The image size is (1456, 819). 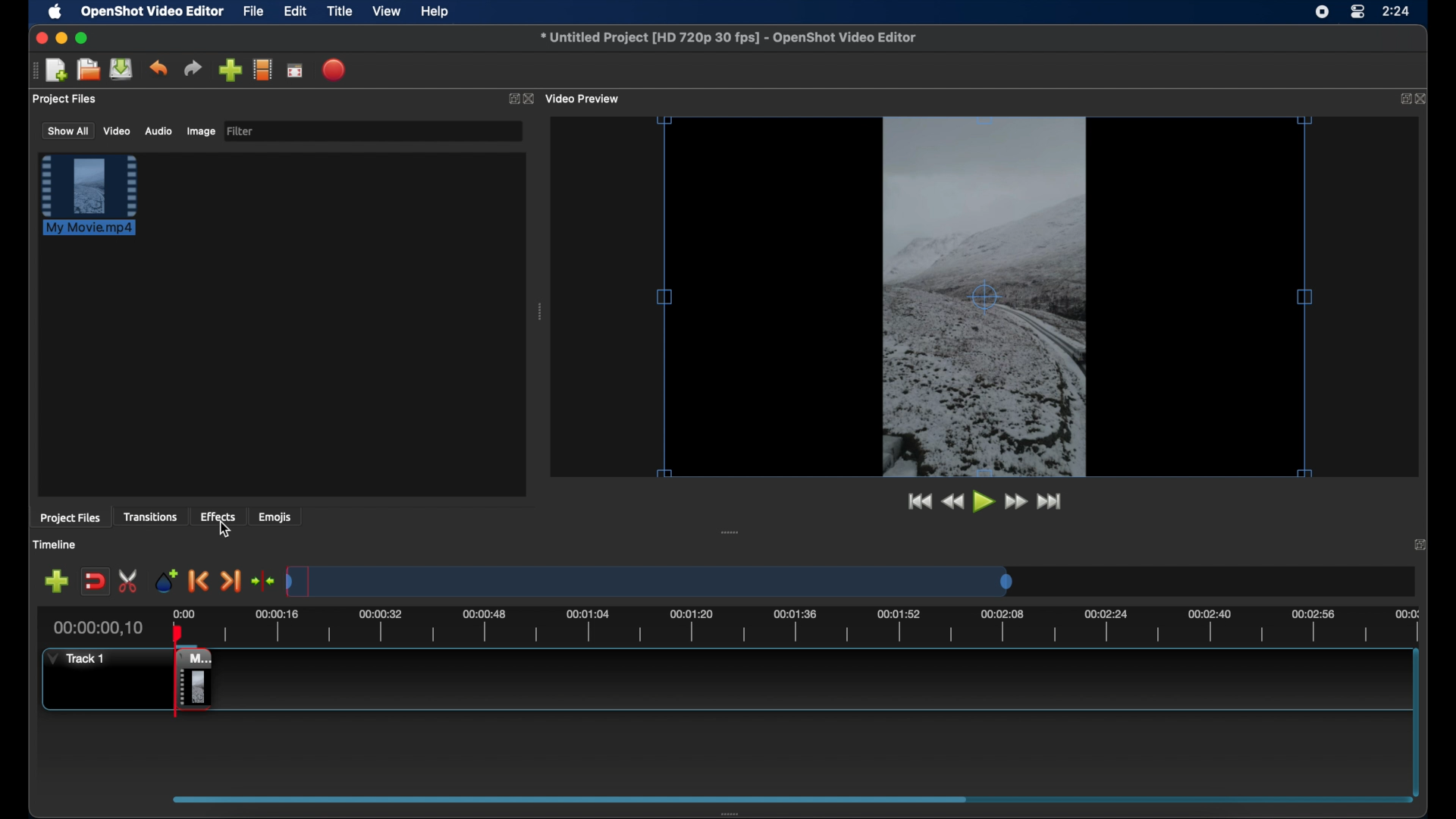 What do you see at coordinates (983, 502) in the screenshot?
I see `play button` at bounding box center [983, 502].